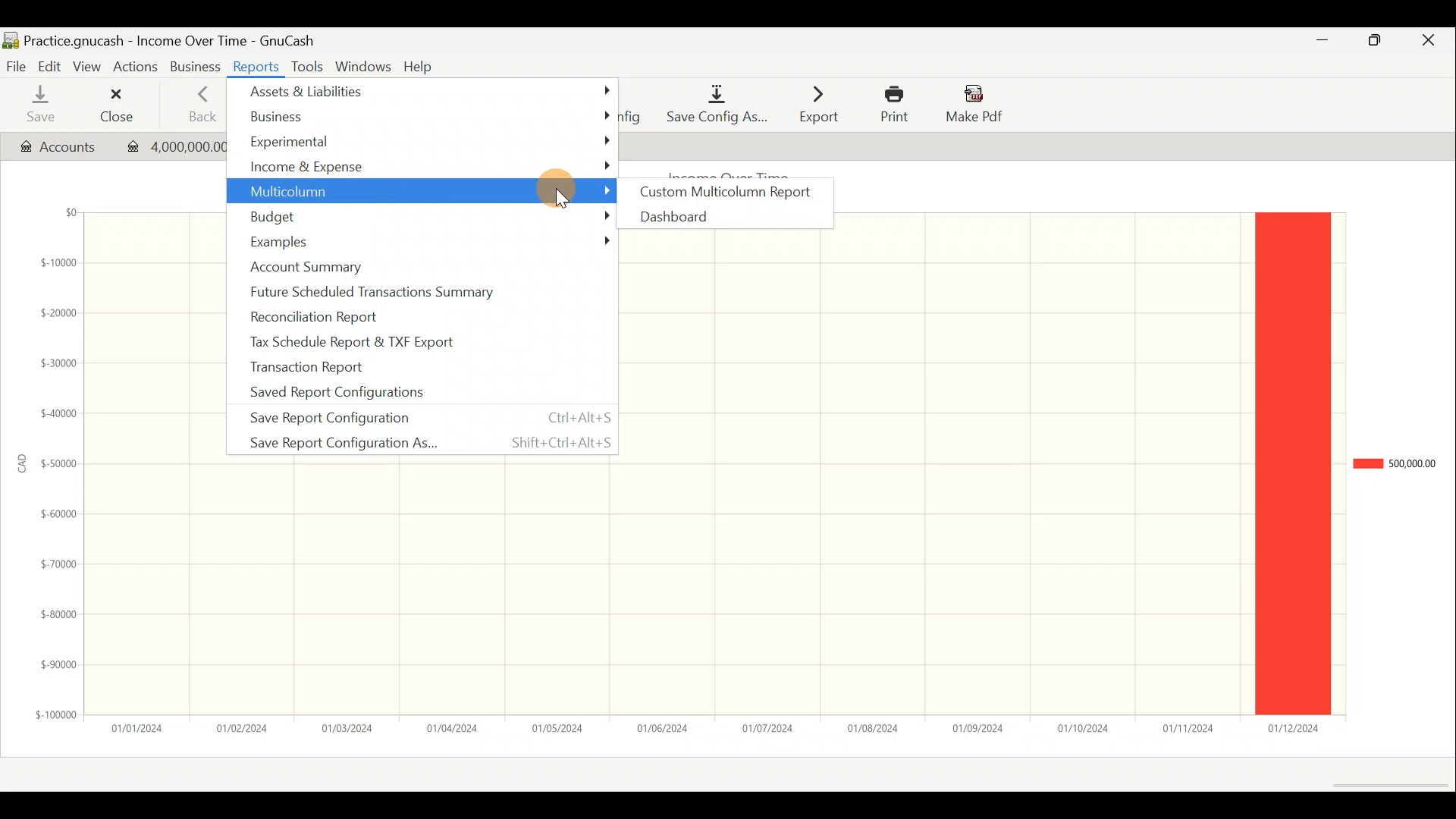 This screenshot has height=819, width=1456. What do you see at coordinates (1429, 42) in the screenshot?
I see `Close` at bounding box center [1429, 42].